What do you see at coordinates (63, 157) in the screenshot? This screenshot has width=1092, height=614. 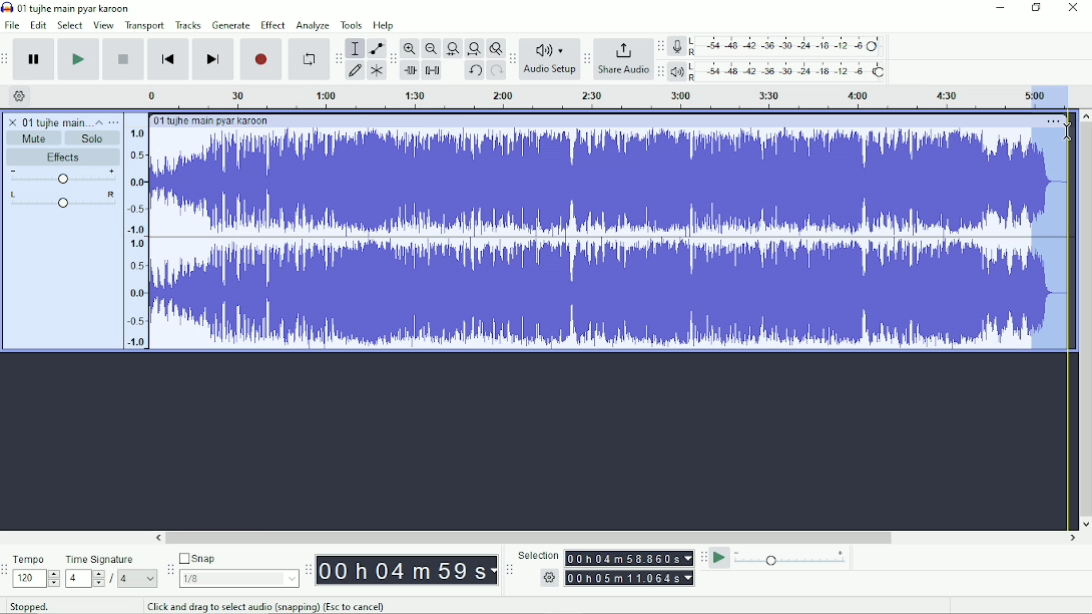 I see `Effects` at bounding box center [63, 157].